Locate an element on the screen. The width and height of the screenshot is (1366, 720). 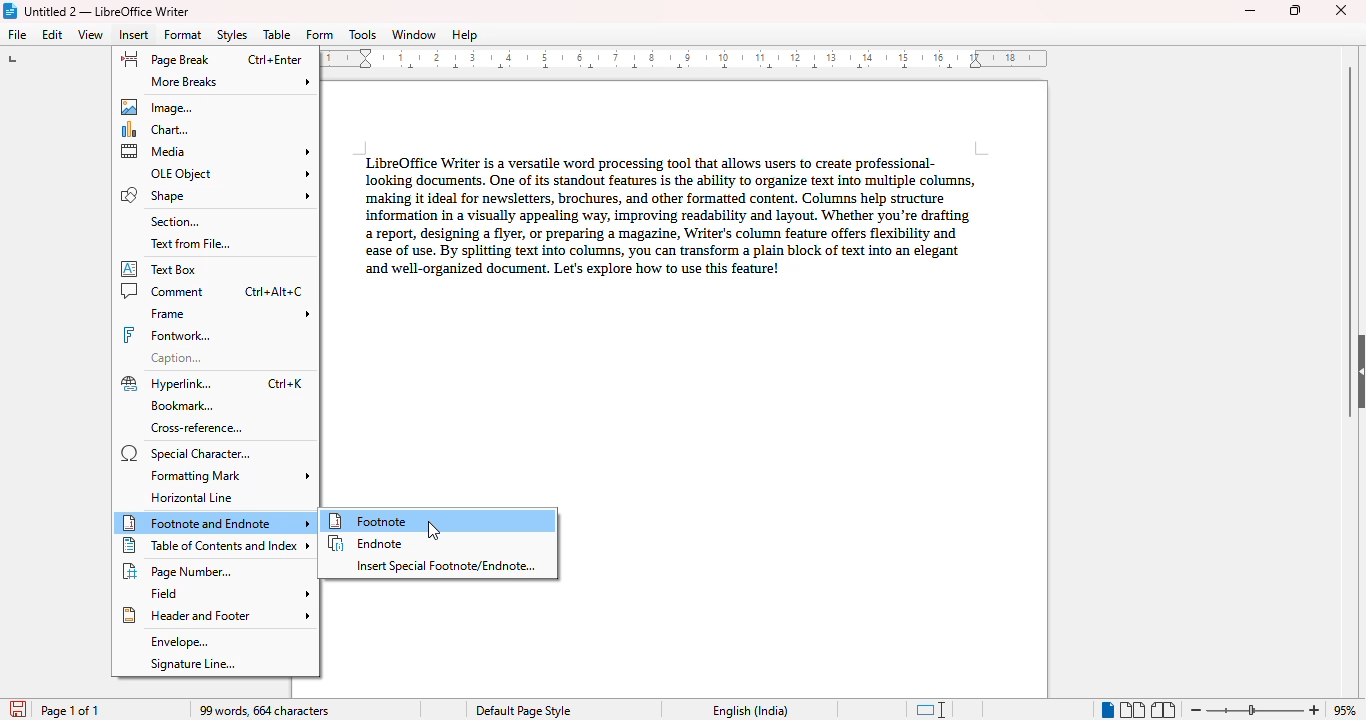
form is located at coordinates (320, 35).